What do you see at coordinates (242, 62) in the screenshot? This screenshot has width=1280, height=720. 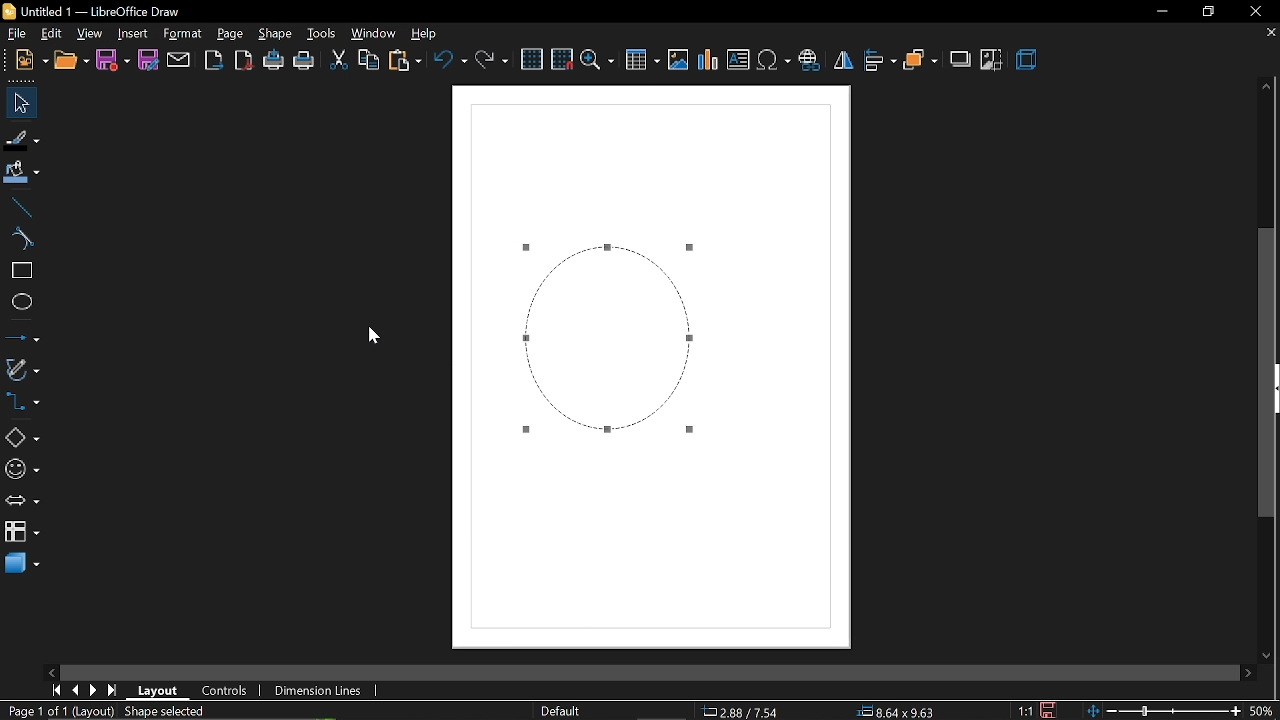 I see `export as` at bounding box center [242, 62].